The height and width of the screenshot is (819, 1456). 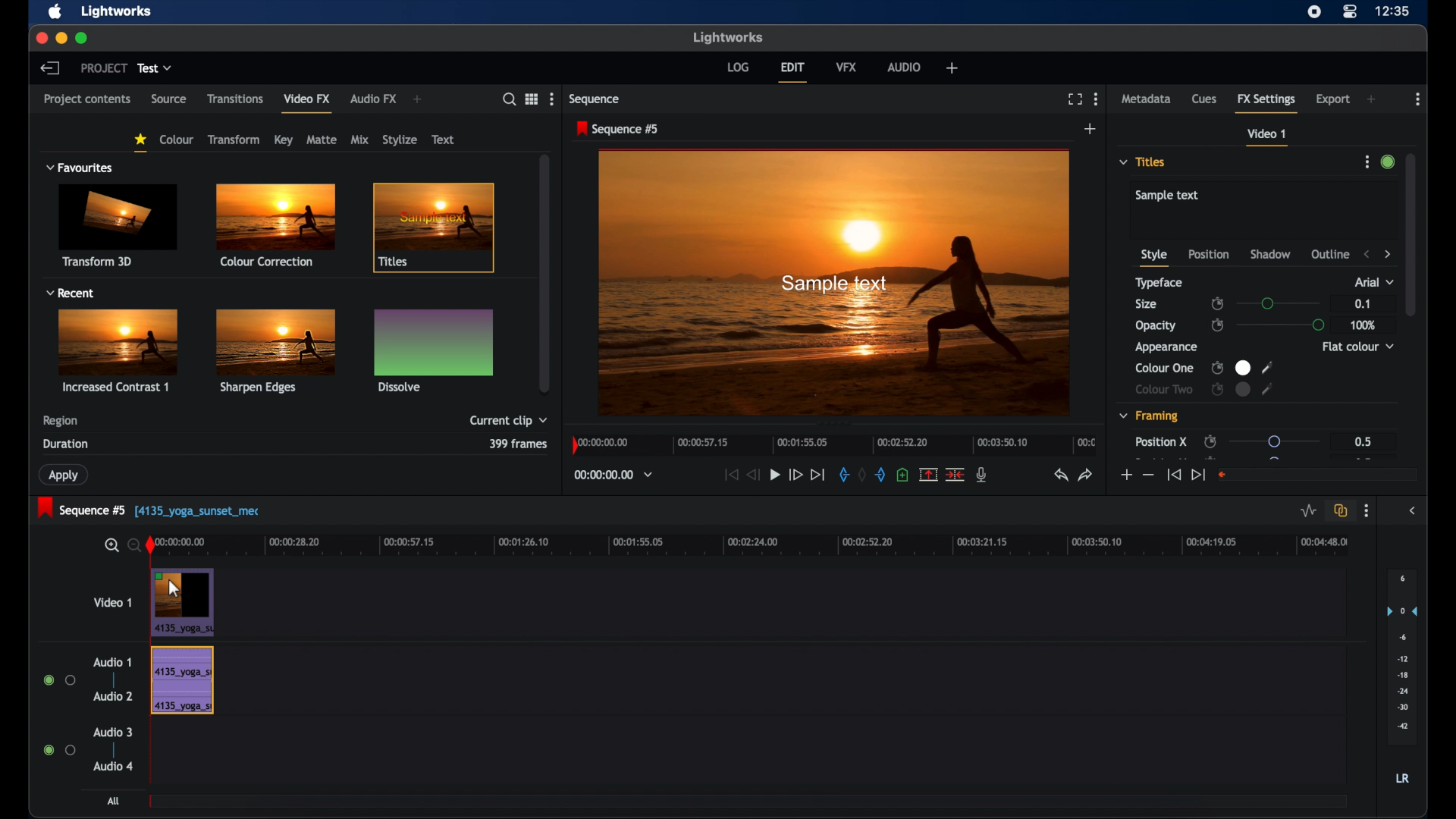 I want to click on favorites, so click(x=80, y=168).